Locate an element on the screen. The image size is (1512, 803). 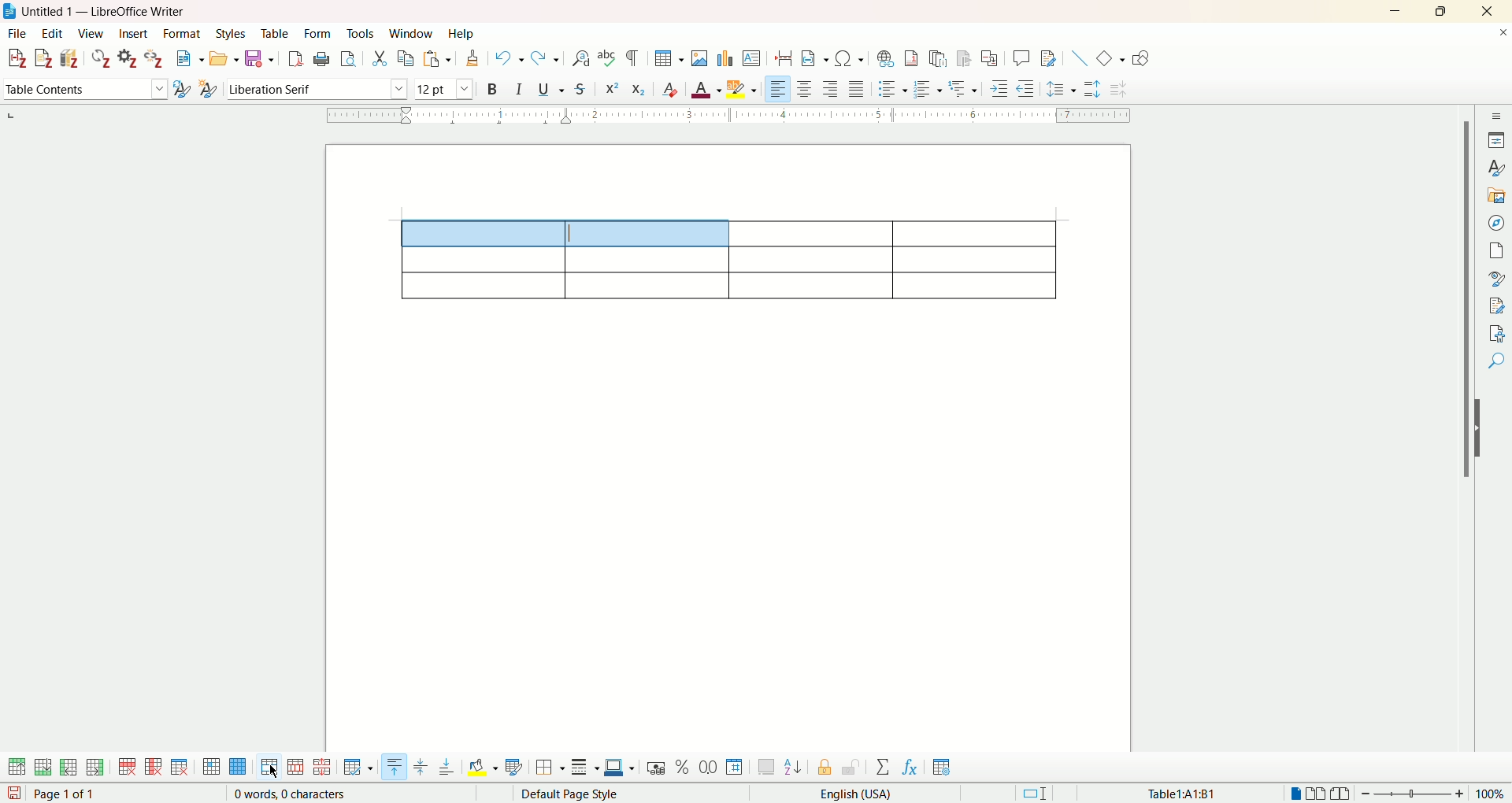
insert column after is located at coordinates (94, 765).